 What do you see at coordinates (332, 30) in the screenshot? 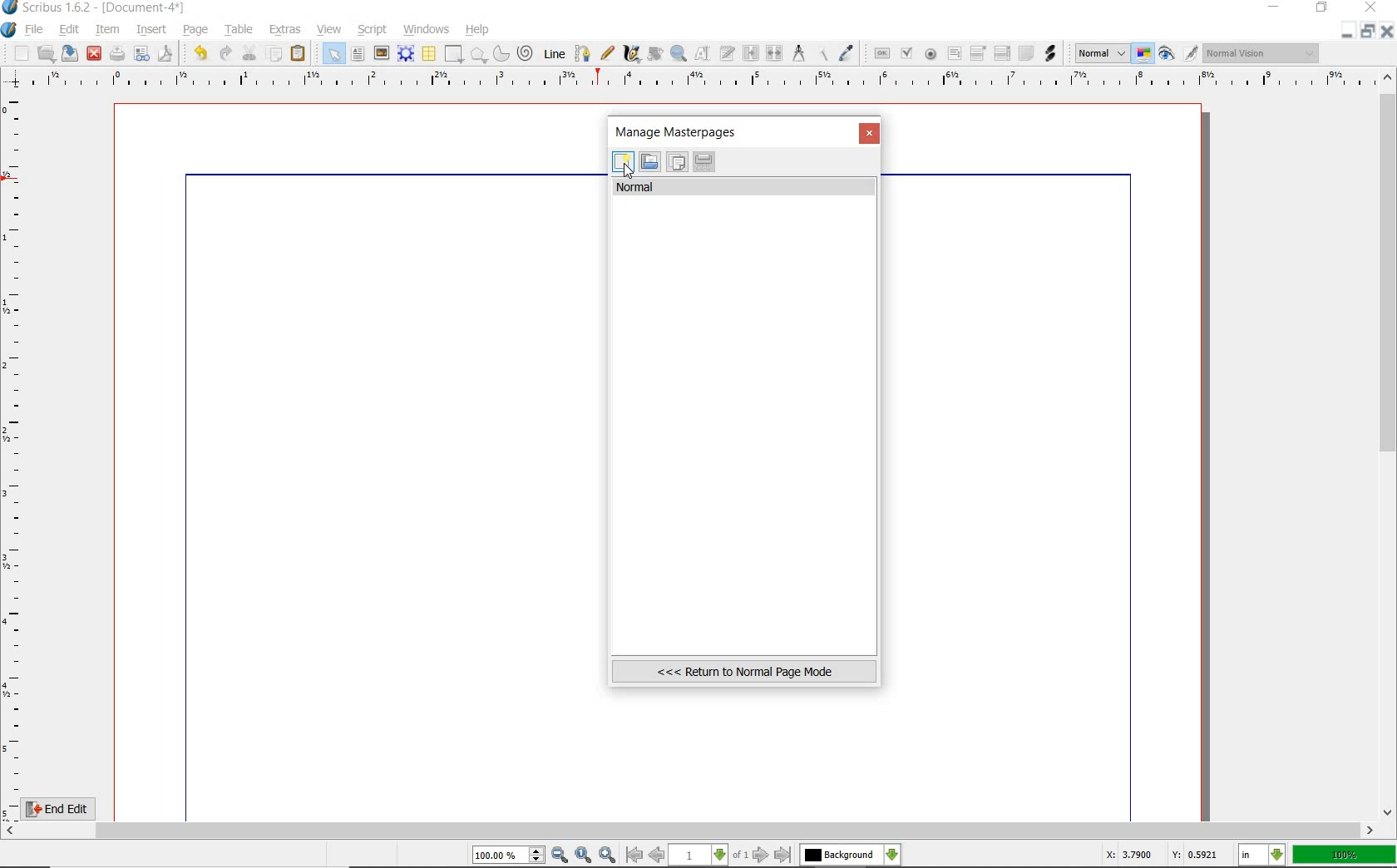
I see `view` at bounding box center [332, 30].